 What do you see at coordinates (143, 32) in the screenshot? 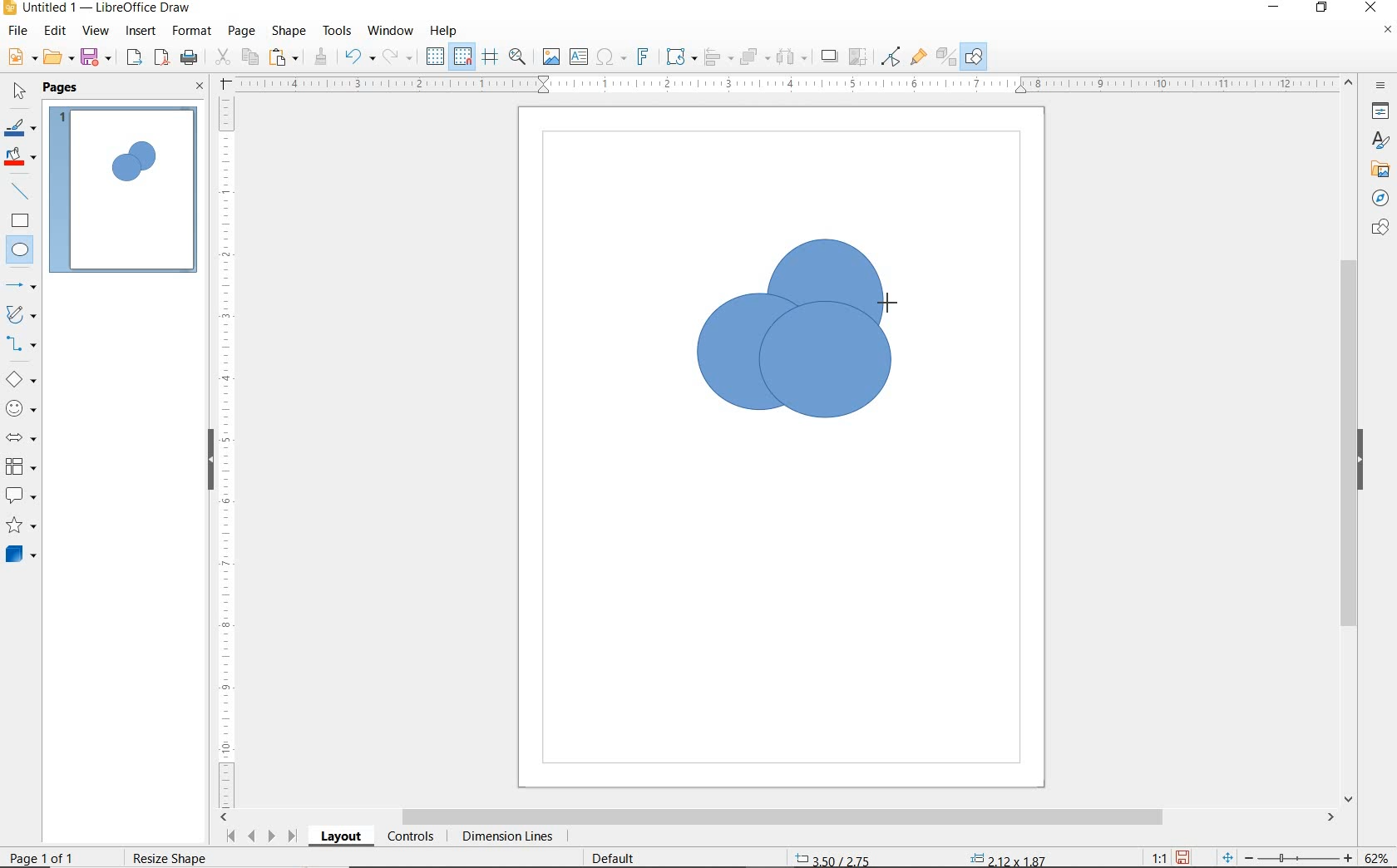
I see `INSERT` at bounding box center [143, 32].